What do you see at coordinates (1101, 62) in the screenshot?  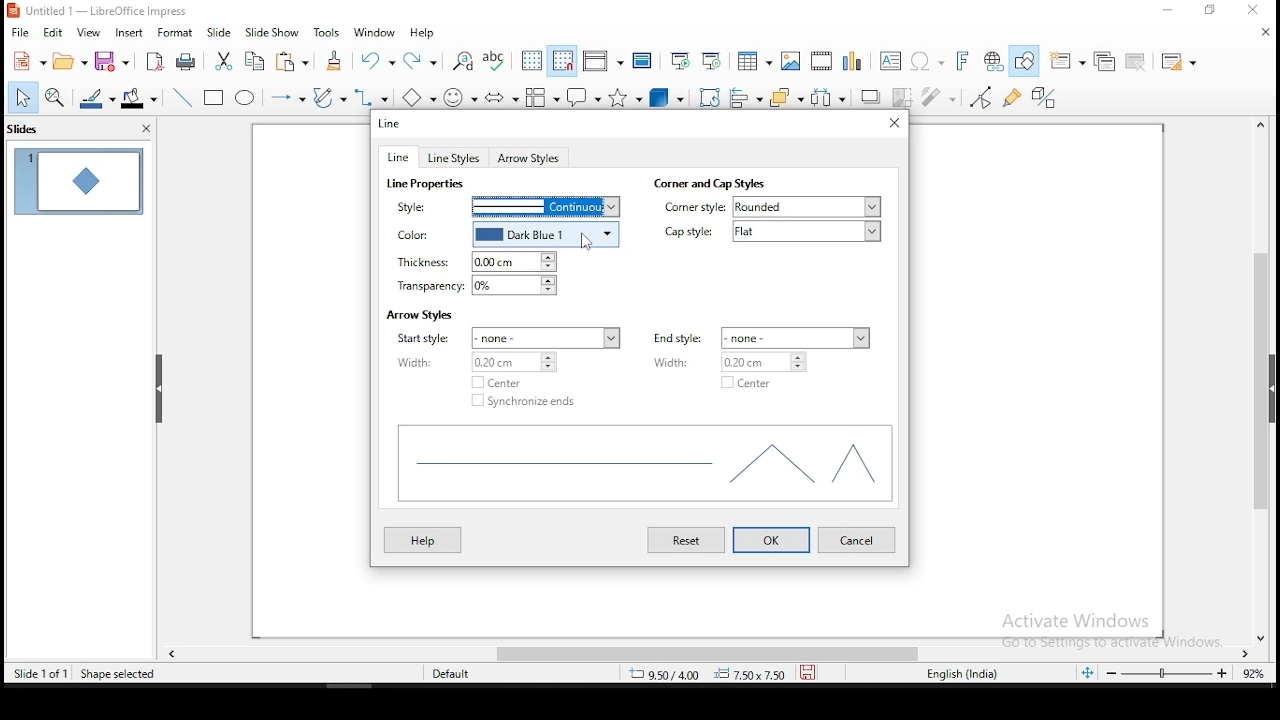 I see `duplicate slide` at bounding box center [1101, 62].